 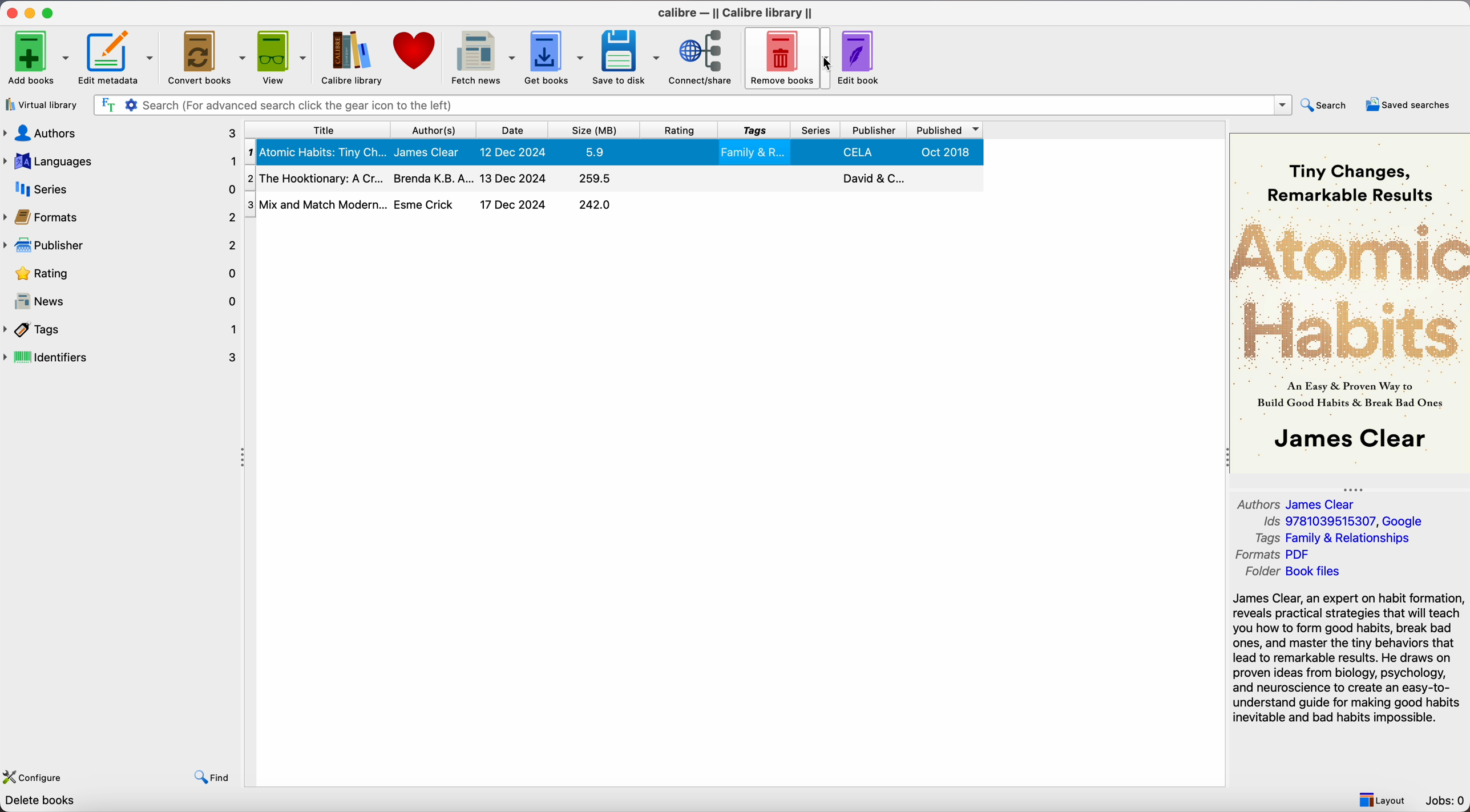 What do you see at coordinates (435, 129) in the screenshot?
I see `author(s)` at bounding box center [435, 129].